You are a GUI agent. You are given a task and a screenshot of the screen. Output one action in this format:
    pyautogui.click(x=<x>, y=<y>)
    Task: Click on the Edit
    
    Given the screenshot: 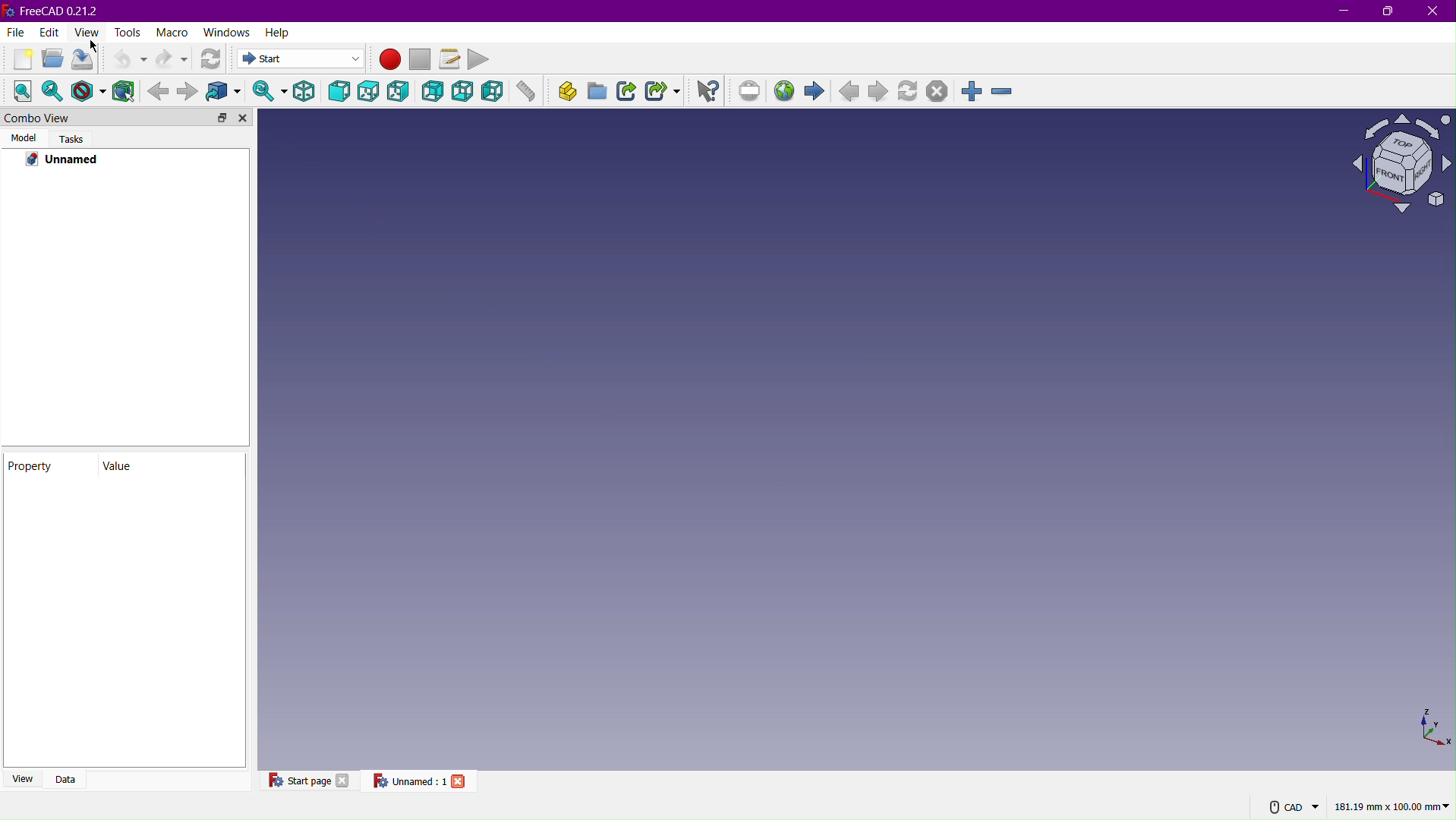 What is the action you would take?
    pyautogui.click(x=49, y=32)
    